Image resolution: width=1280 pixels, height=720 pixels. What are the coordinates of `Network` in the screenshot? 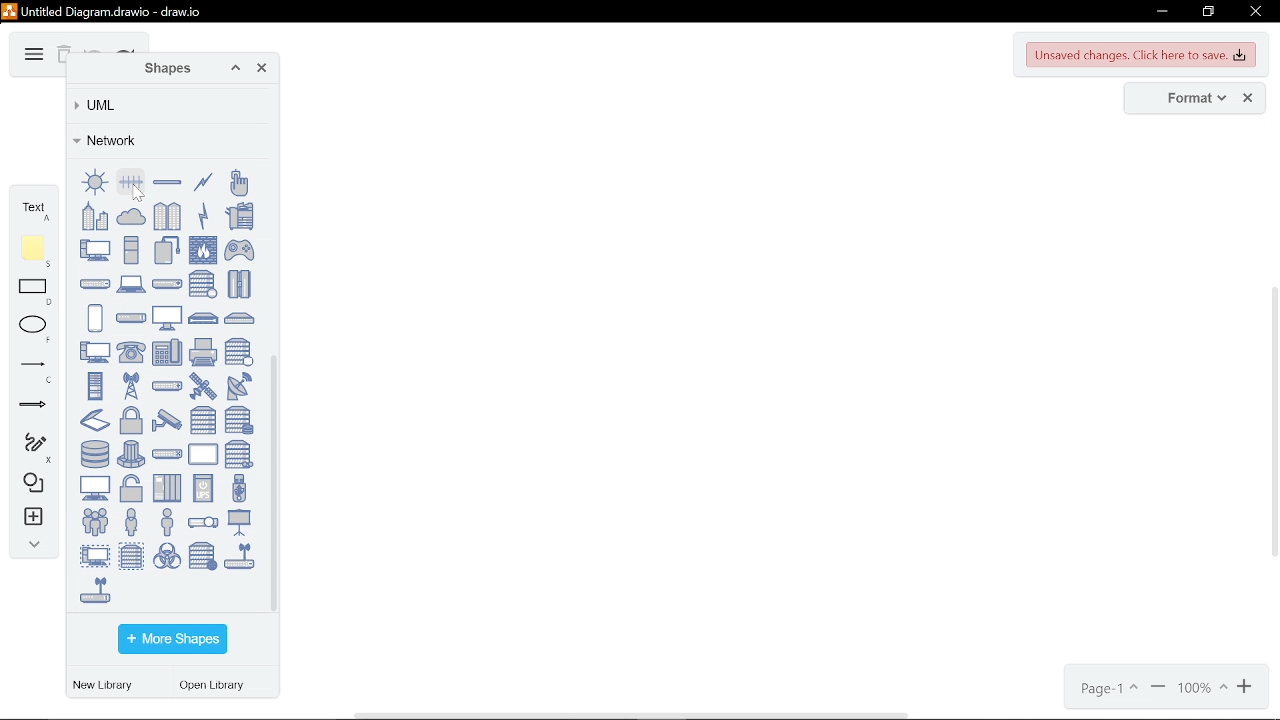 It's located at (165, 140).